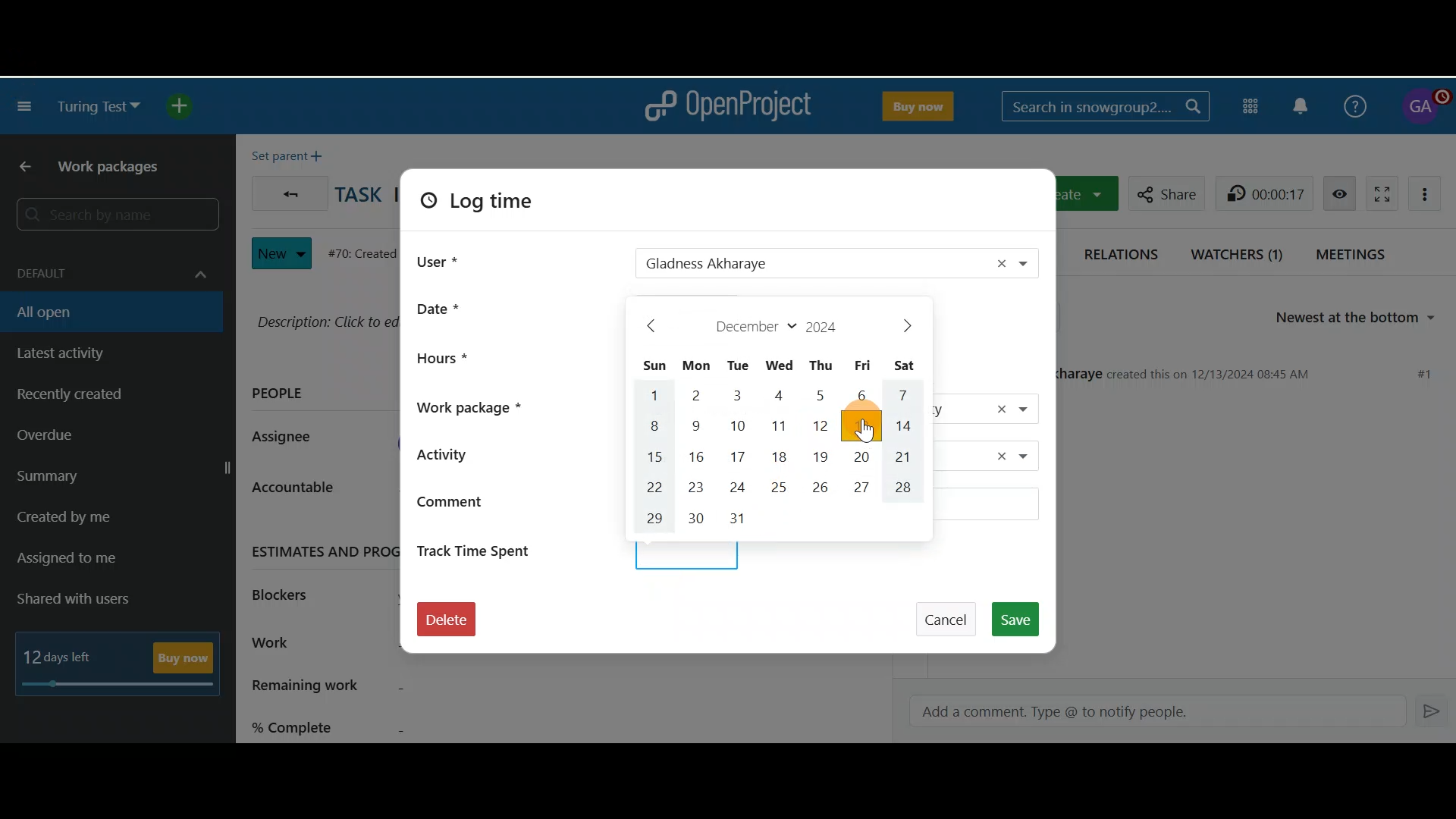  Describe the element at coordinates (291, 152) in the screenshot. I see `Set parent +` at that location.